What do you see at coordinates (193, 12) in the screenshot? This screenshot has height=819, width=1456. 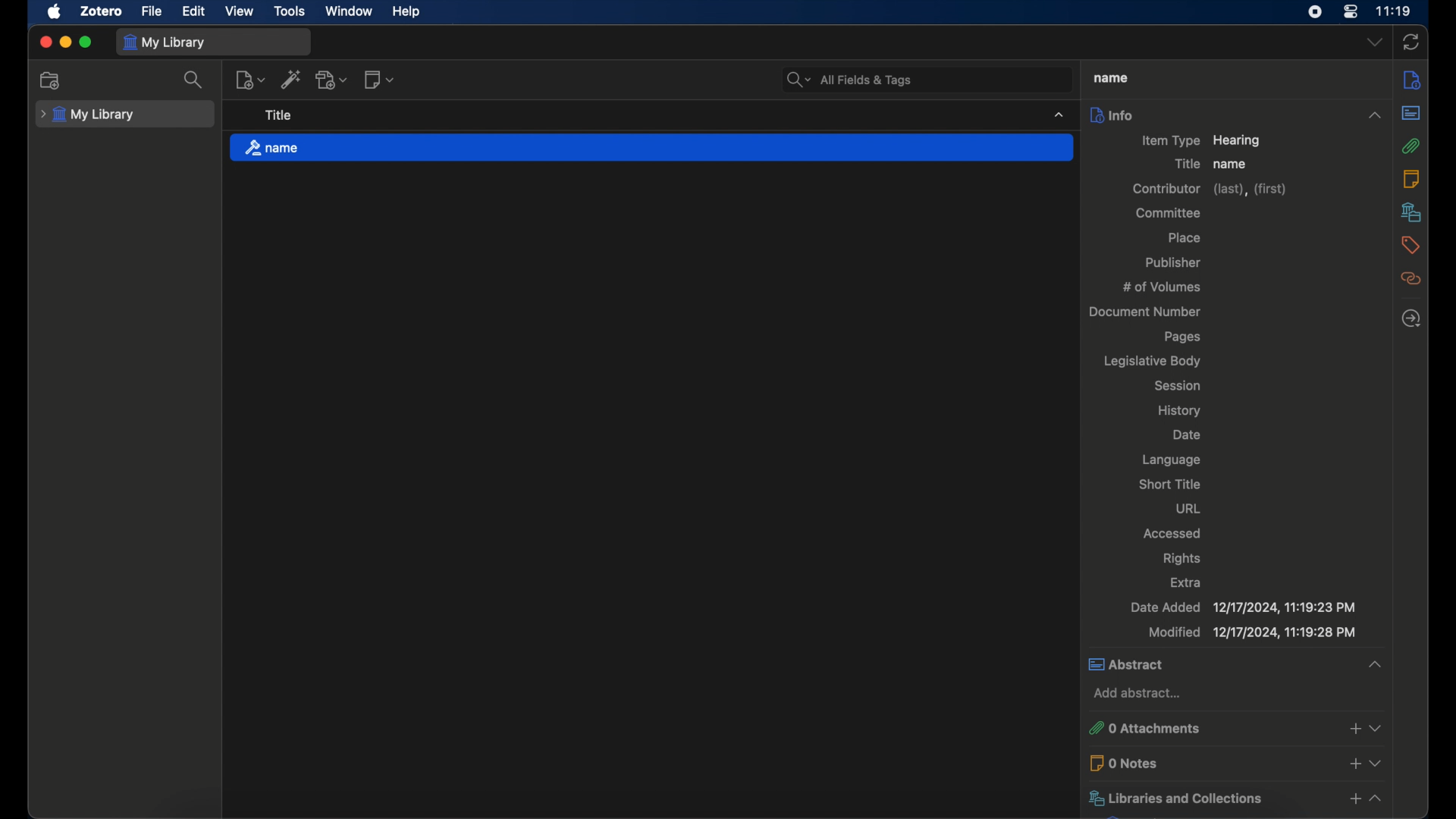 I see `edit` at bounding box center [193, 12].